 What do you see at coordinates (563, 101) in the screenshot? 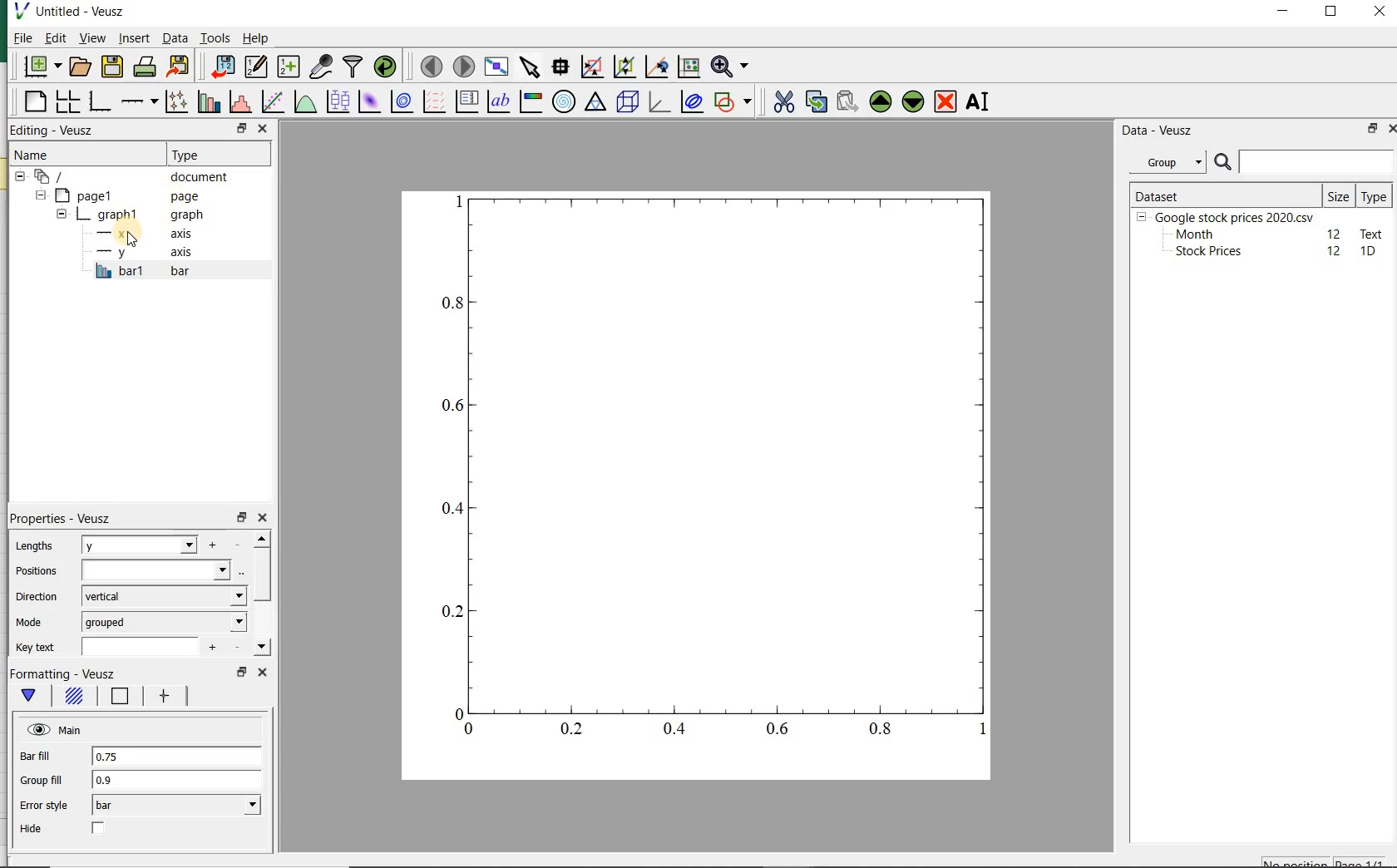
I see `polar graph` at bounding box center [563, 101].